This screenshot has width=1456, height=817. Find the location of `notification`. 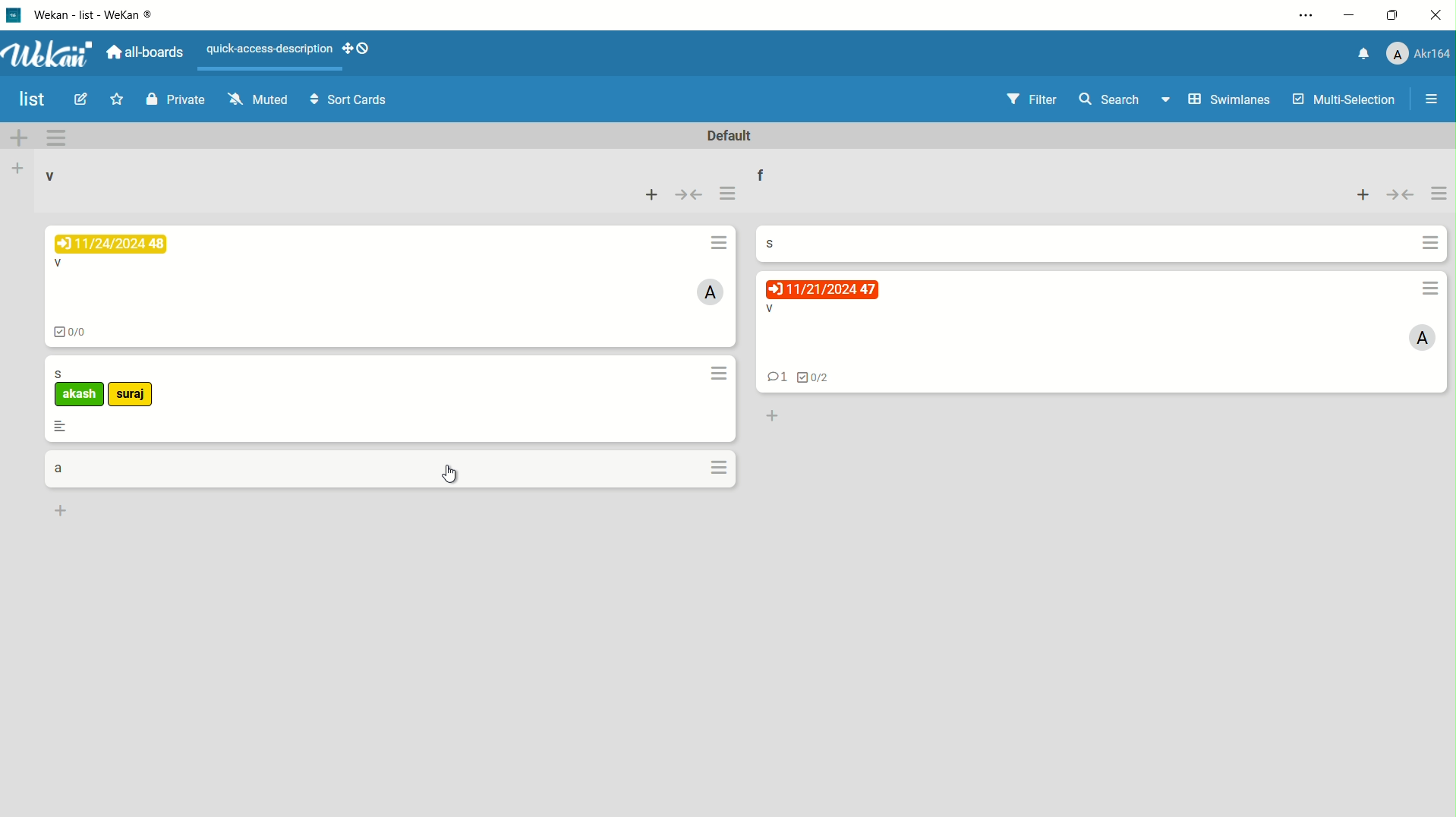

notification is located at coordinates (1361, 54).